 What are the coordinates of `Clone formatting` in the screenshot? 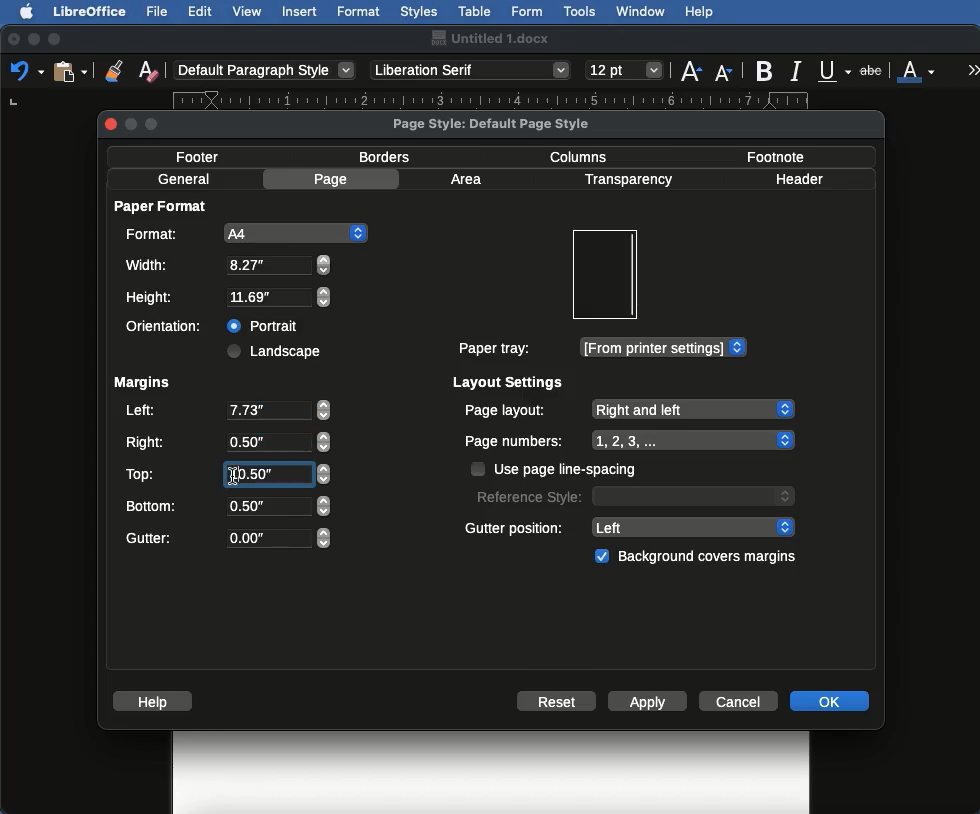 It's located at (114, 70).